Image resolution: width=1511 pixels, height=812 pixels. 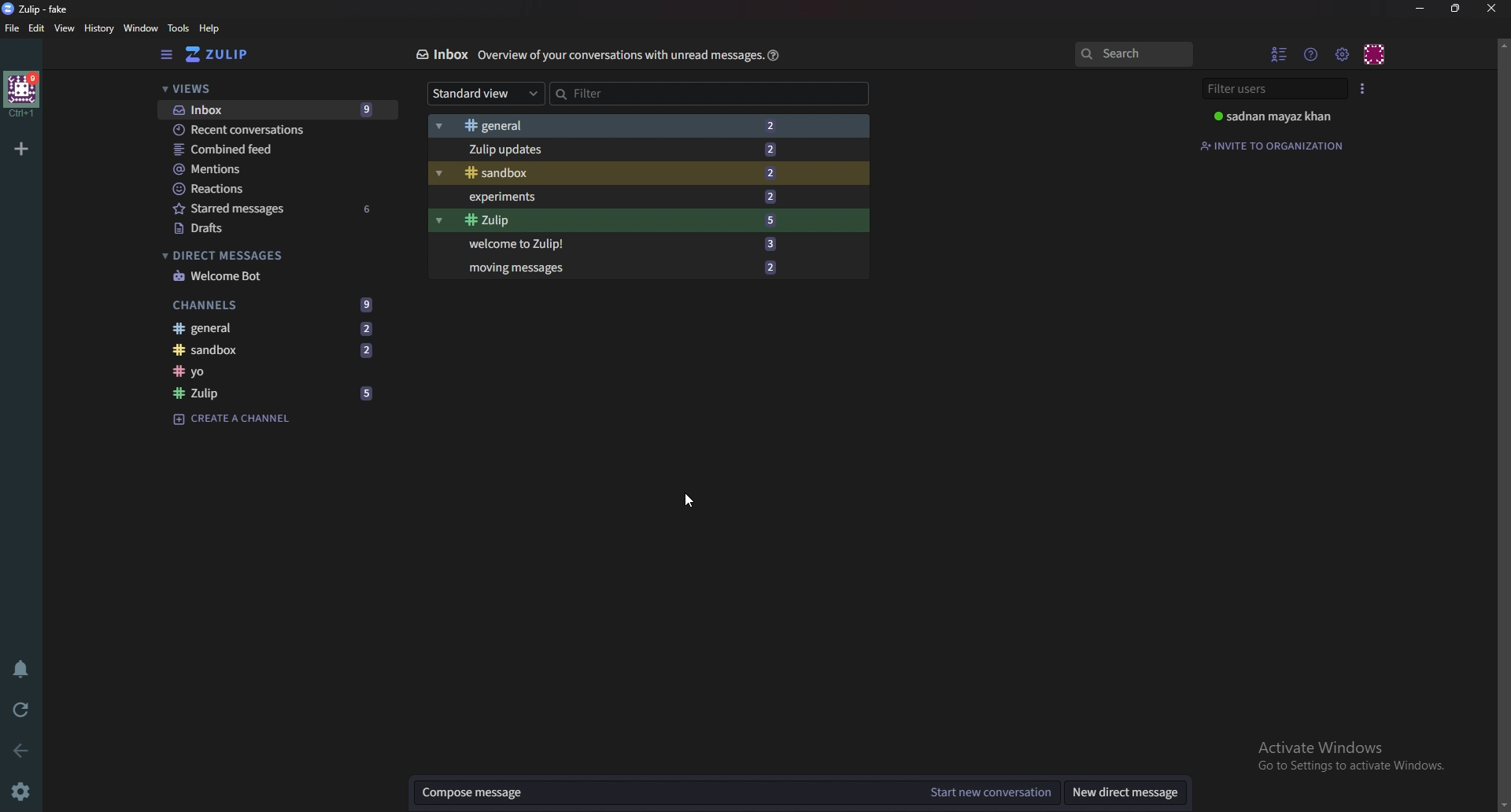 What do you see at coordinates (211, 28) in the screenshot?
I see `help` at bounding box center [211, 28].